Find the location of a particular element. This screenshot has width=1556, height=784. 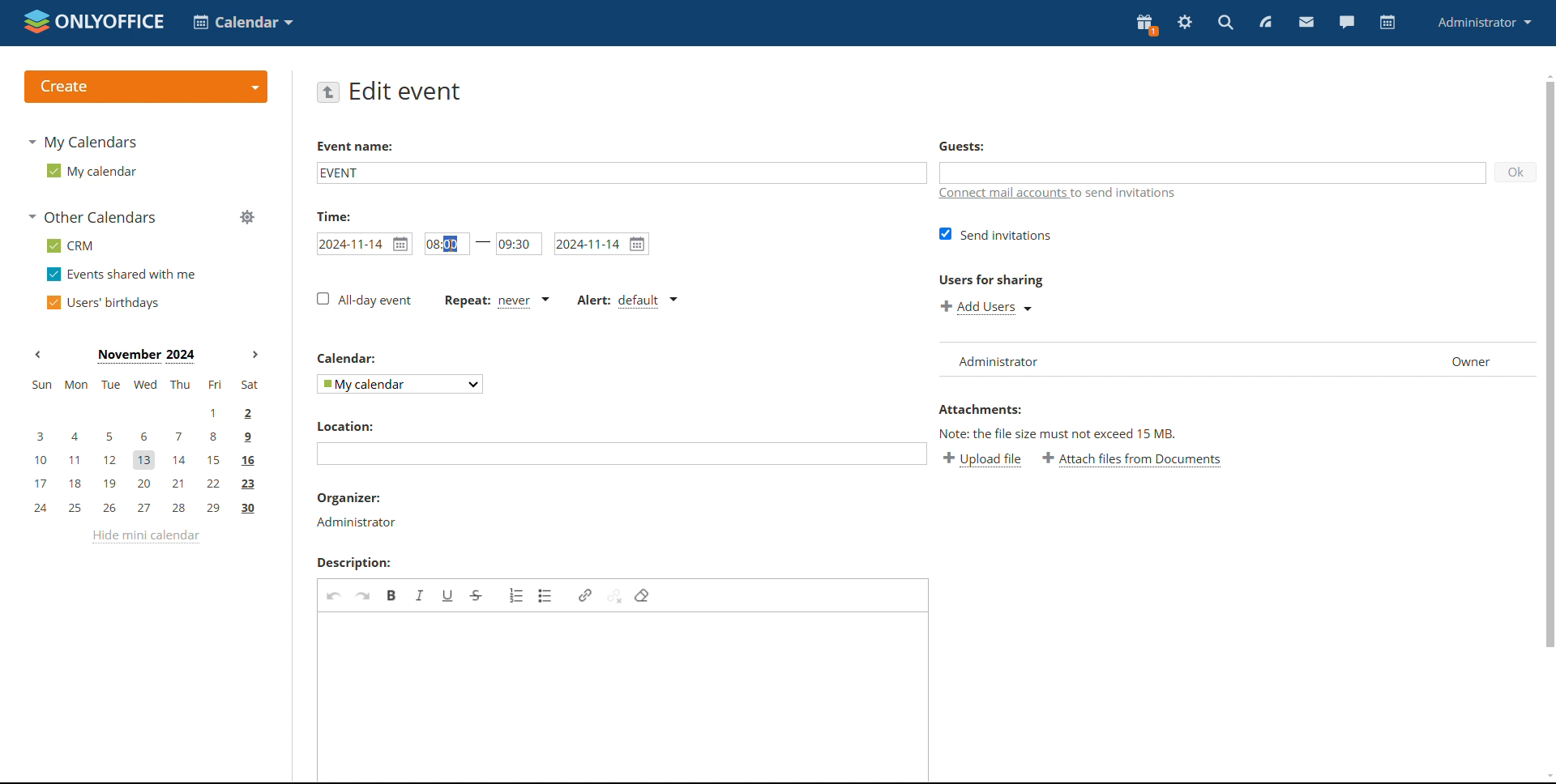

start date is located at coordinates (364, 244).